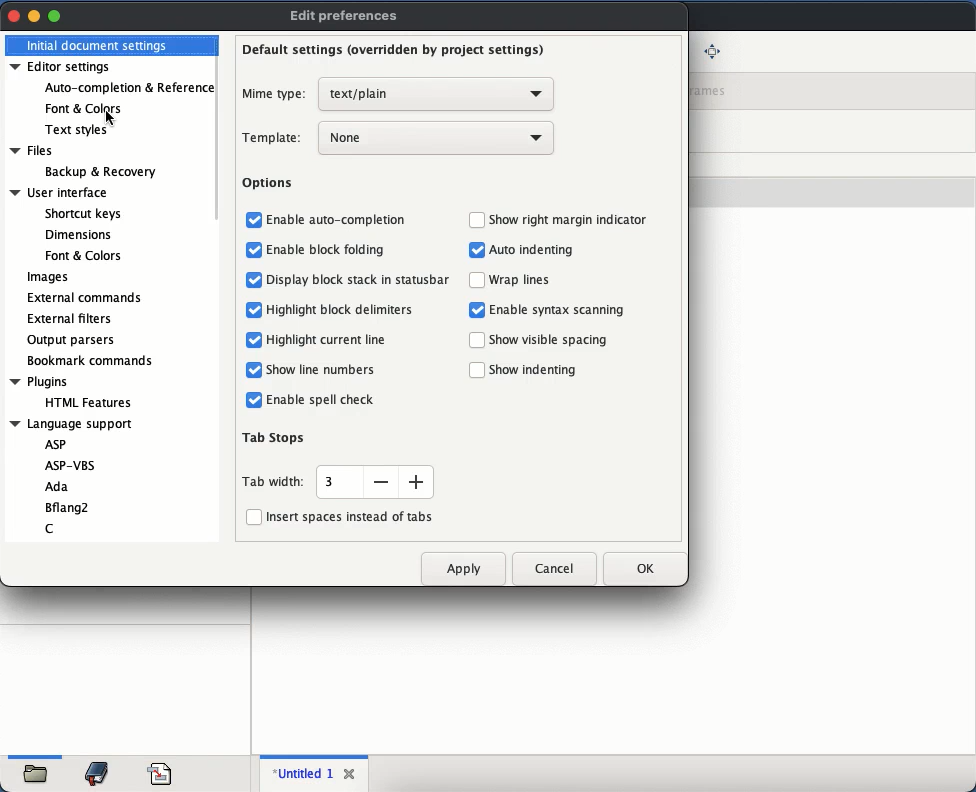  I want to click on external filters, so click(72, 320).